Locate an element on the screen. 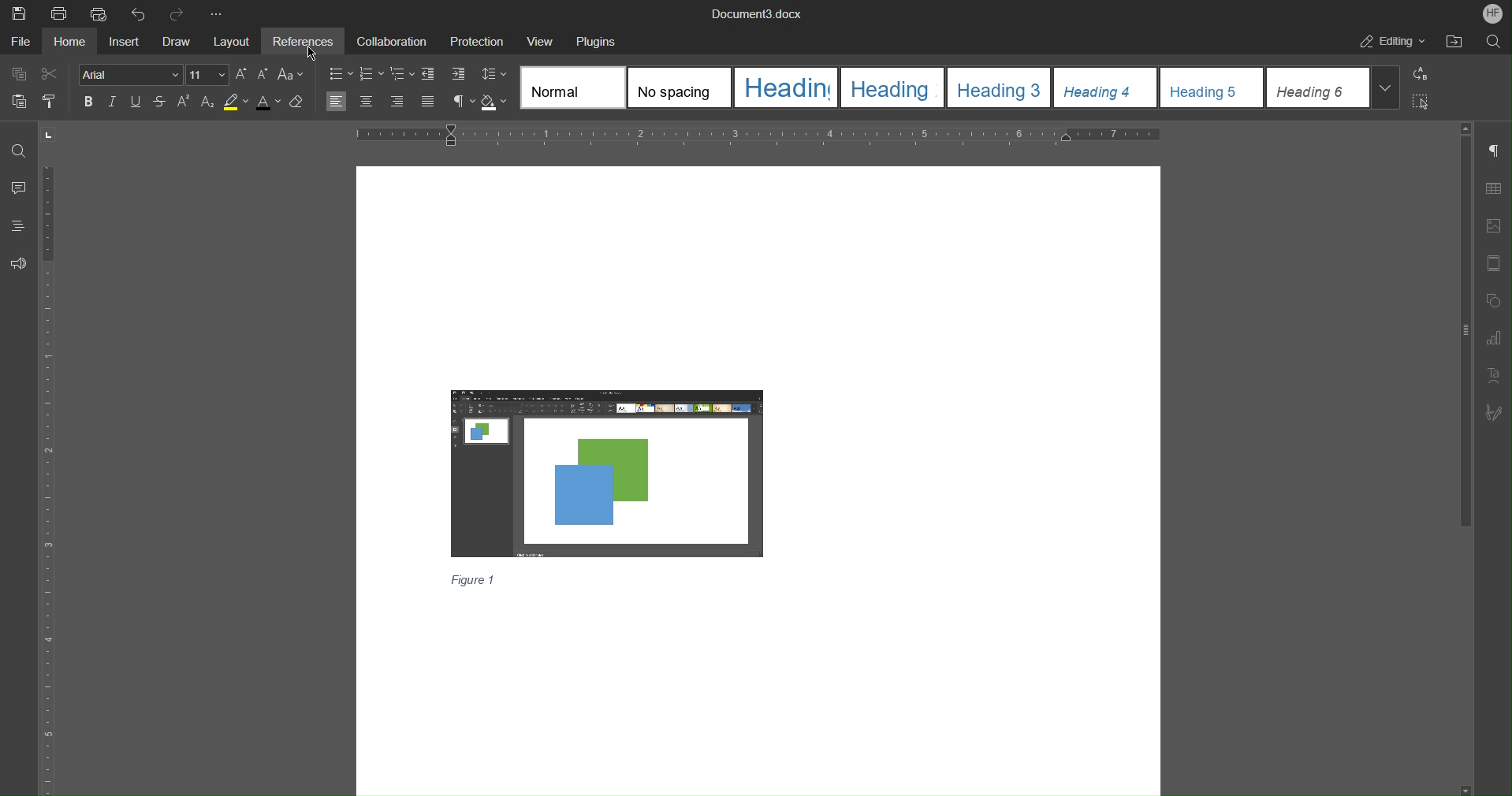 The height and width of the screenshot is (796, 1512). Increase Font Size is located at coordinates (244, 76).